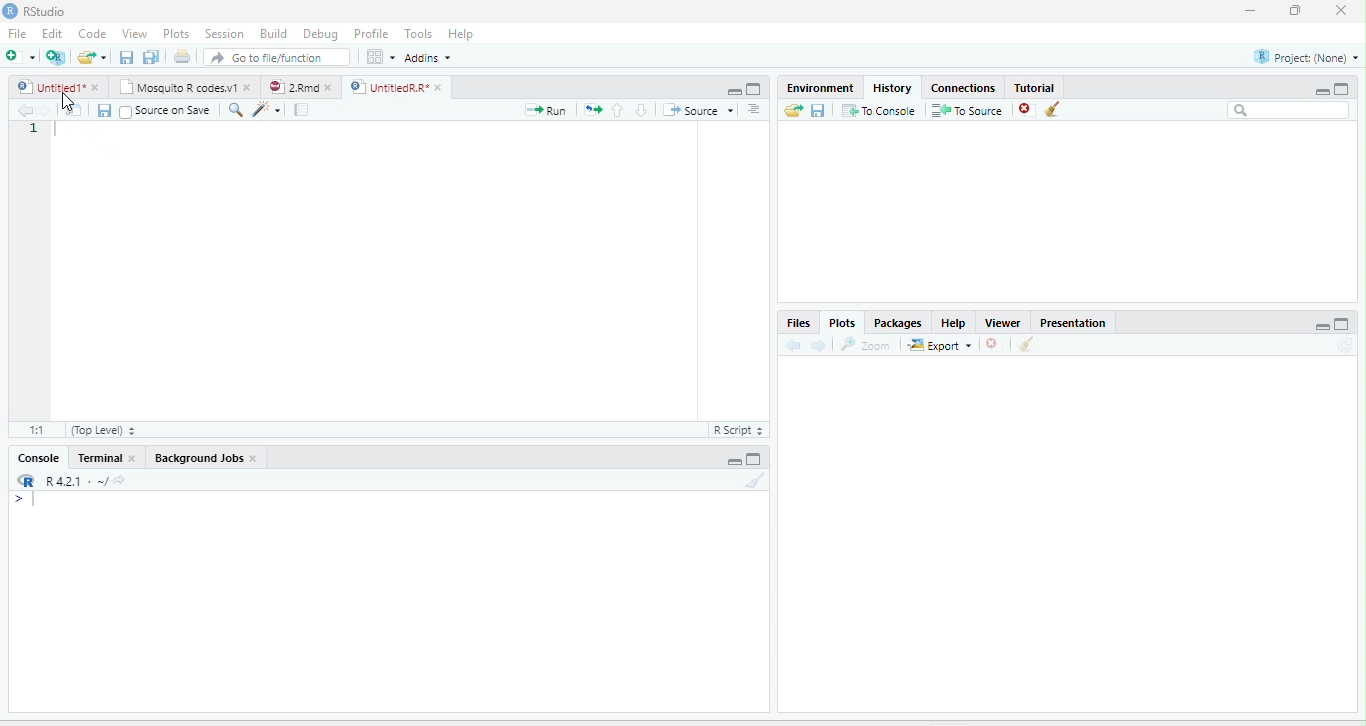 This screenshot has width=1366, height=726. Describe the element at coordinates (55, 56) in the screenshot. I see `Create a project` at that location.